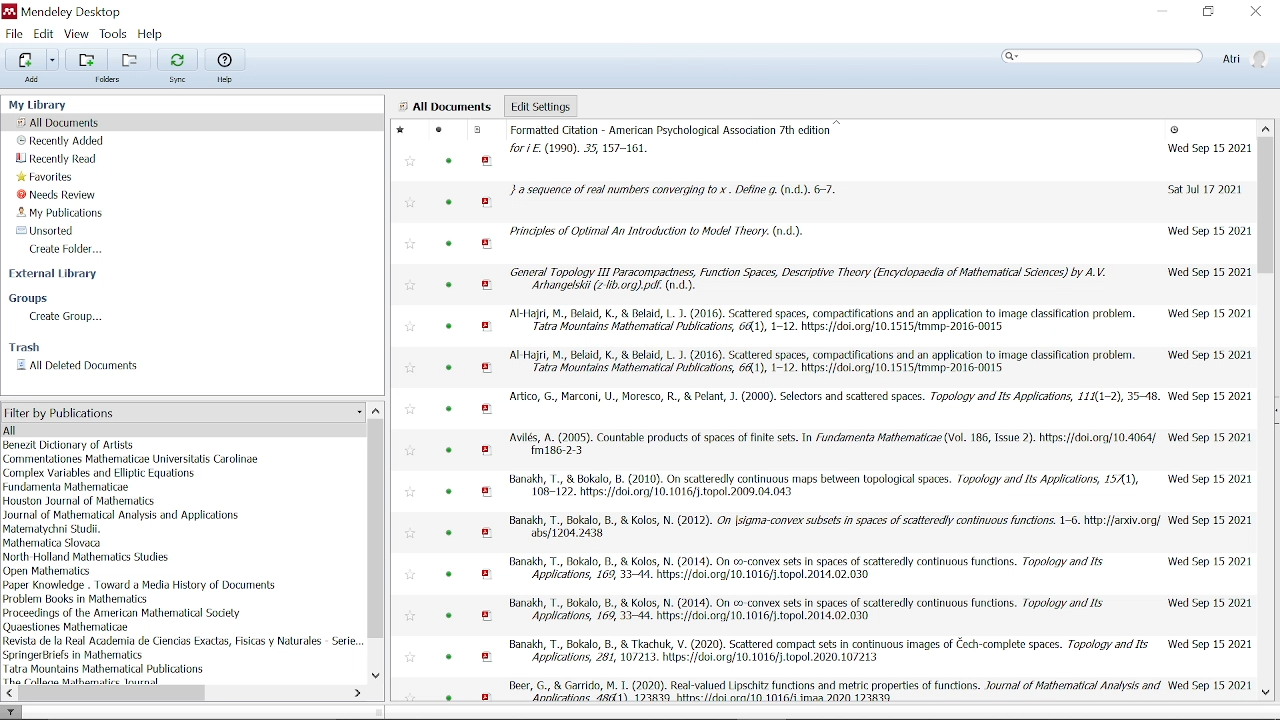  What do you see at coordinates (656, 231) in the screenshot?
I see `citation` at bounding box center [656, 231].